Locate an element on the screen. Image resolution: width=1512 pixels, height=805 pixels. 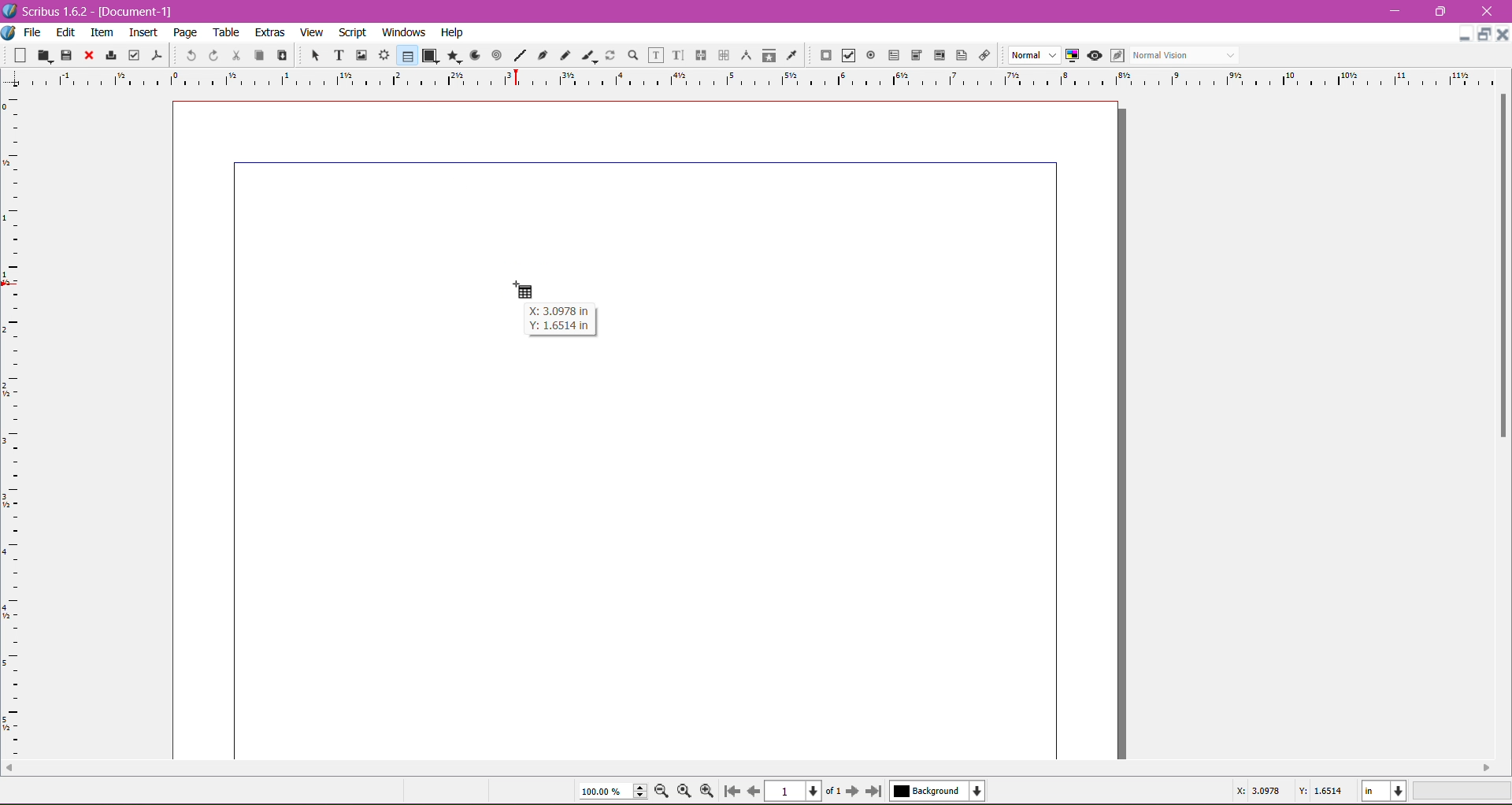
Undo is located at coordinates (189, 54).